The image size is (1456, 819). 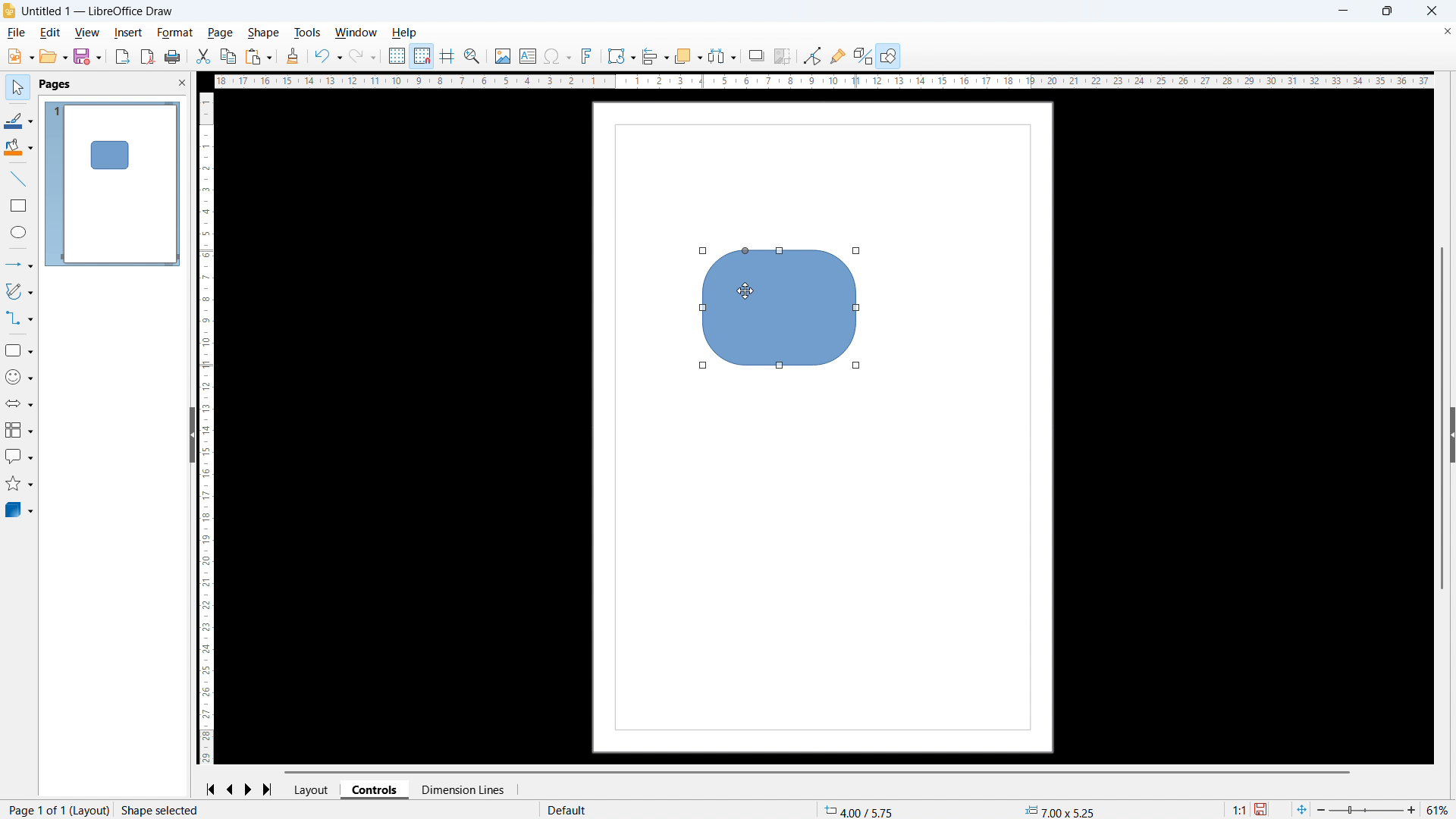 What do you see at coordinates (782, 57) in the screenshot?
I see `crop image` at bounding box center [782, 57].